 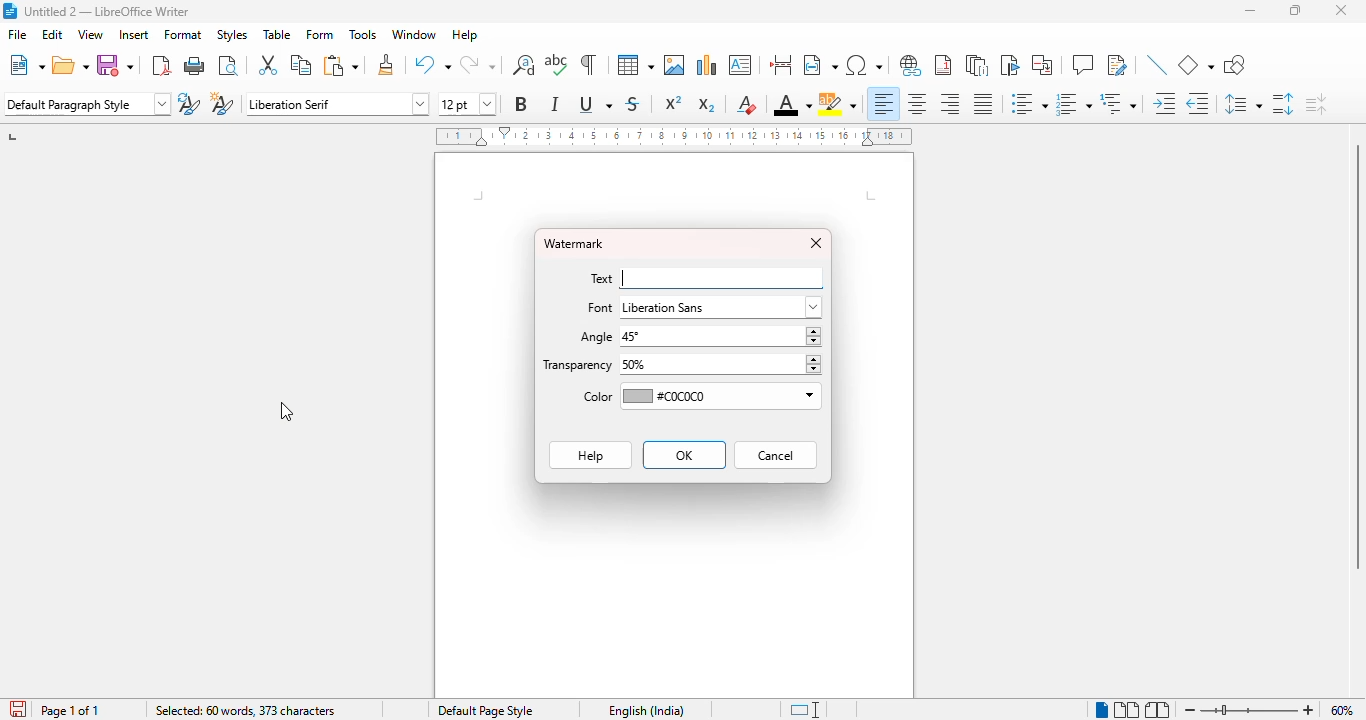 What do you see at coordinates (780, 65) in the screenshot?
I see `insert page break` at bounding box center [780, 65].